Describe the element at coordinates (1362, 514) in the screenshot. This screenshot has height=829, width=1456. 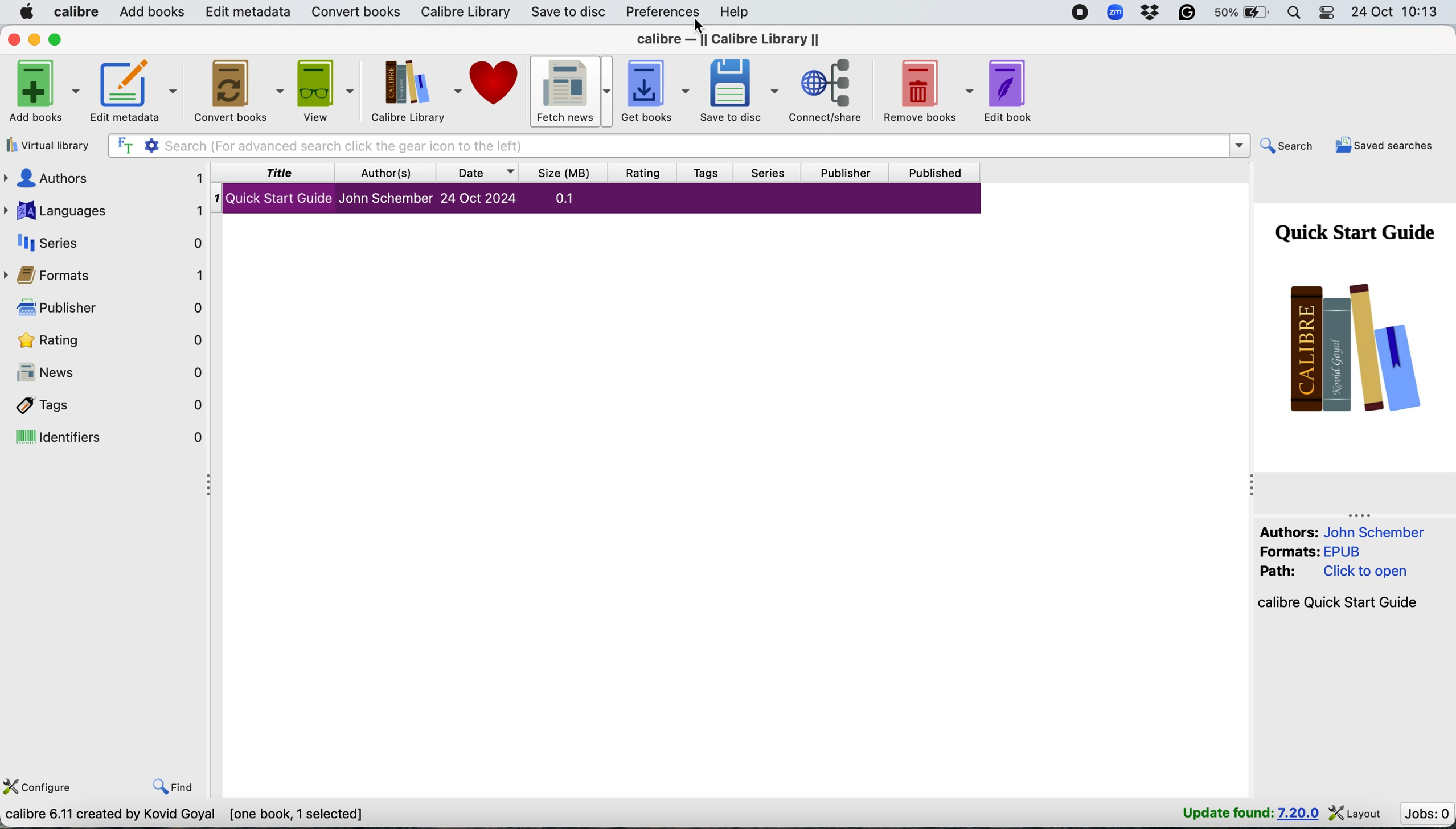
I see `collapse` at that location.